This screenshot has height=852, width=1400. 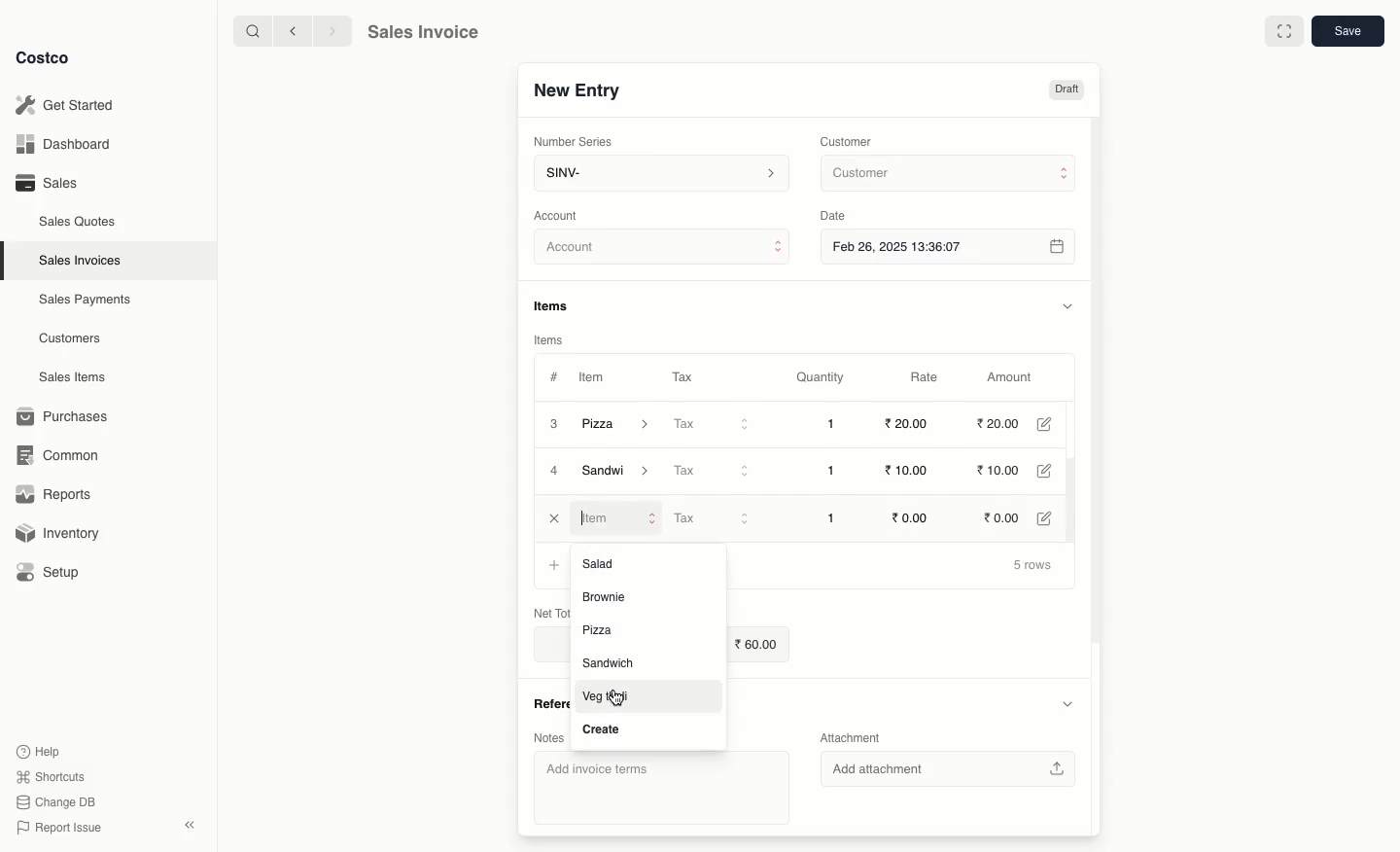 I want to click on Setup, so click(x=55, y=572).